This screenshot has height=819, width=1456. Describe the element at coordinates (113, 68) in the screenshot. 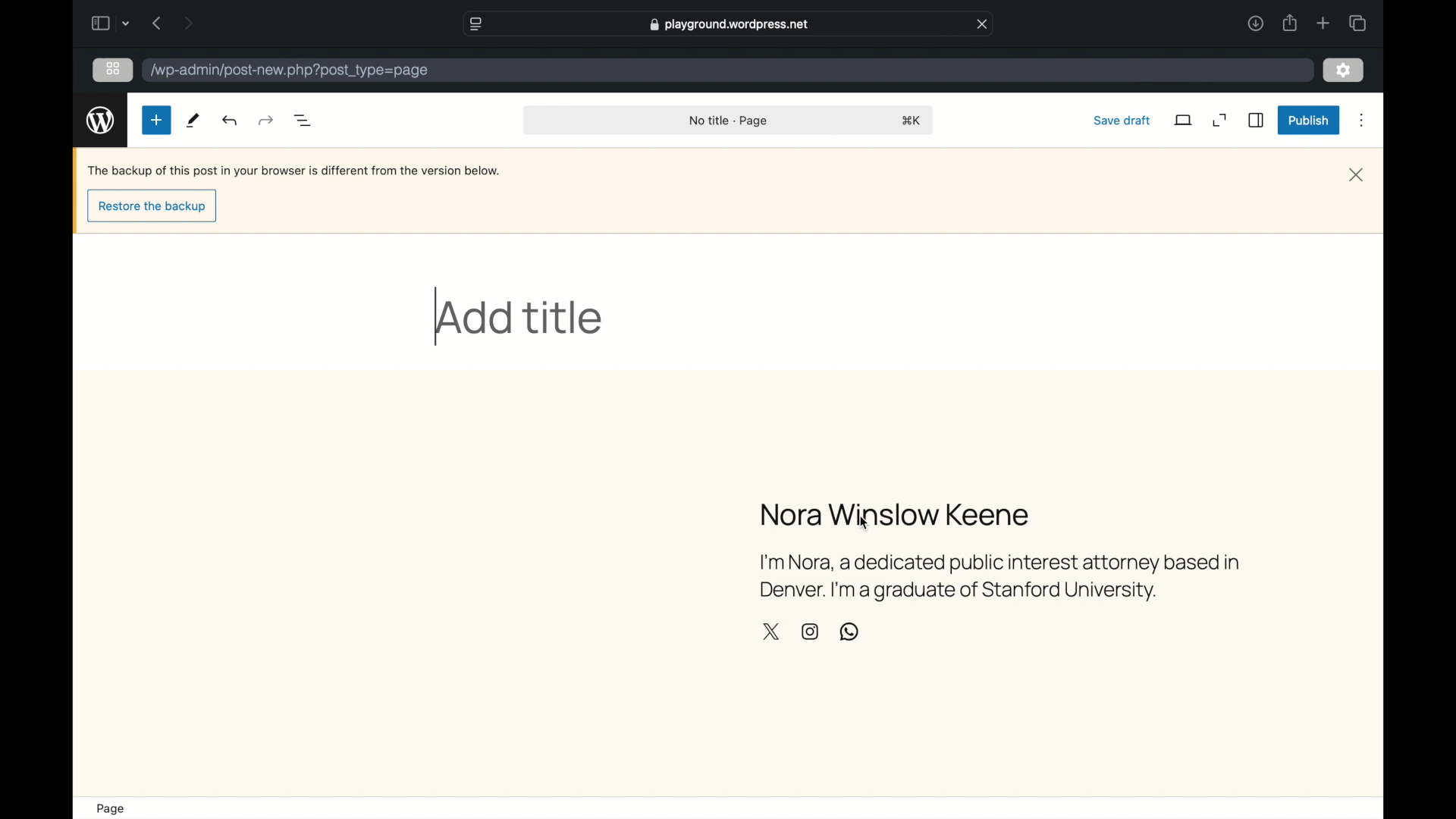

I see `grid view` at that location.